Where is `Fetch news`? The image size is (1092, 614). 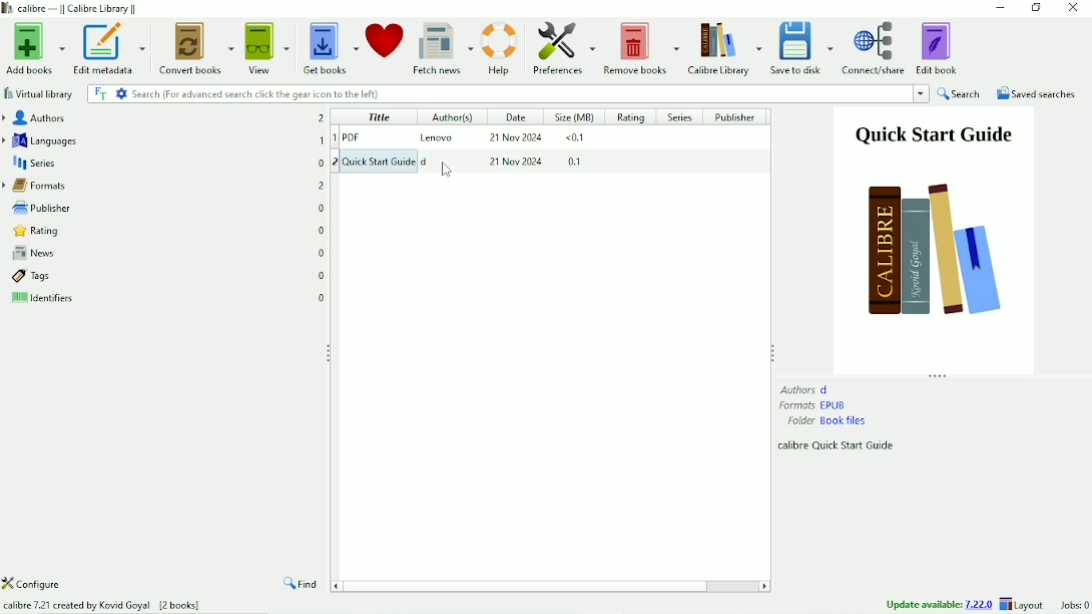
Fetch news is located at coordinates (442, 47).